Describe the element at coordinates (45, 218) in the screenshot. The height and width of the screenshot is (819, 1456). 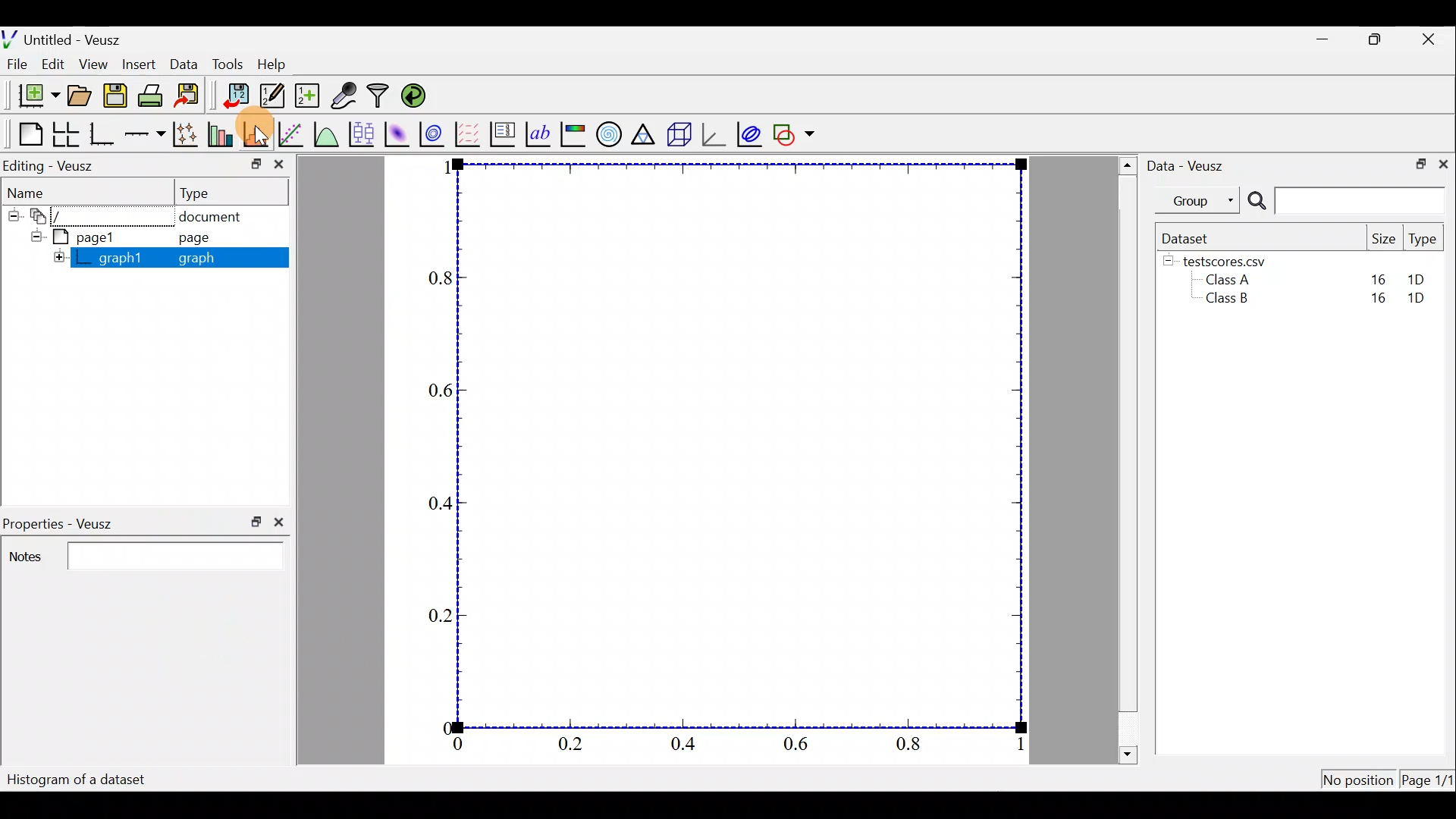
I see `document widget` at that location.